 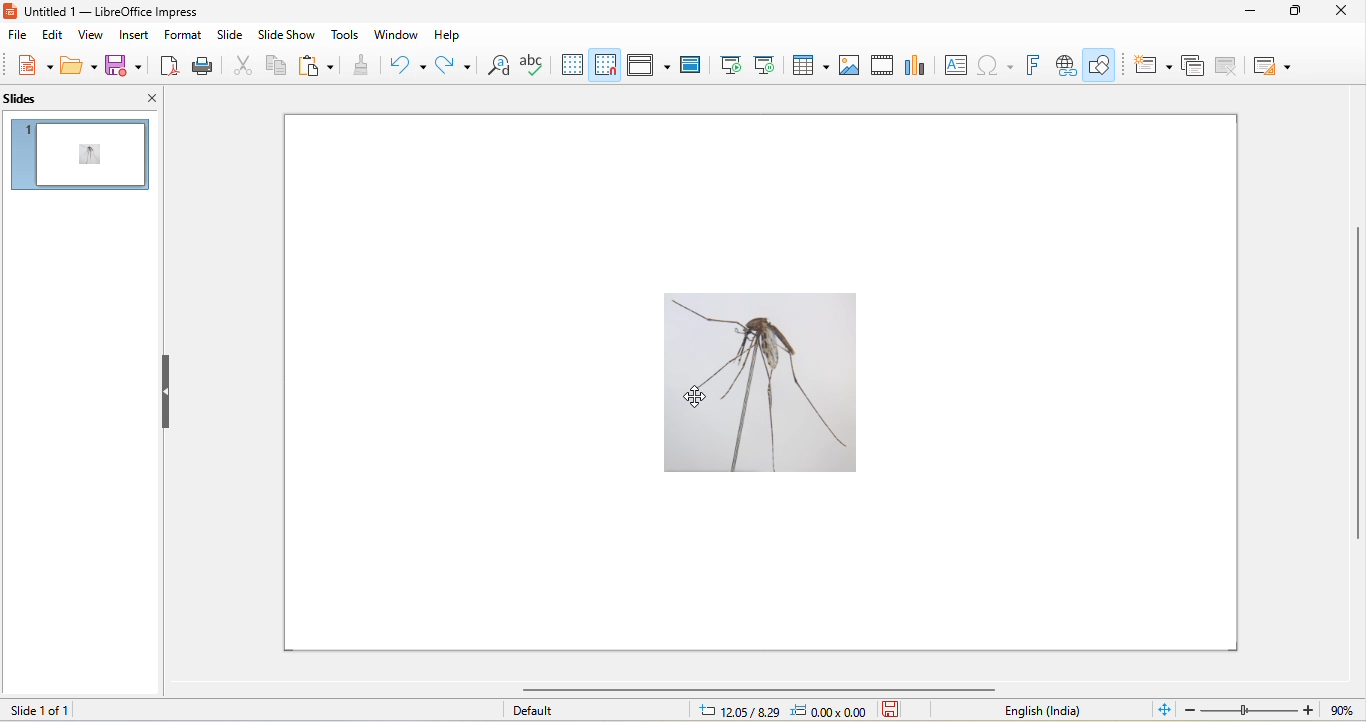 I want to click on new, so click(x=35, y=66).